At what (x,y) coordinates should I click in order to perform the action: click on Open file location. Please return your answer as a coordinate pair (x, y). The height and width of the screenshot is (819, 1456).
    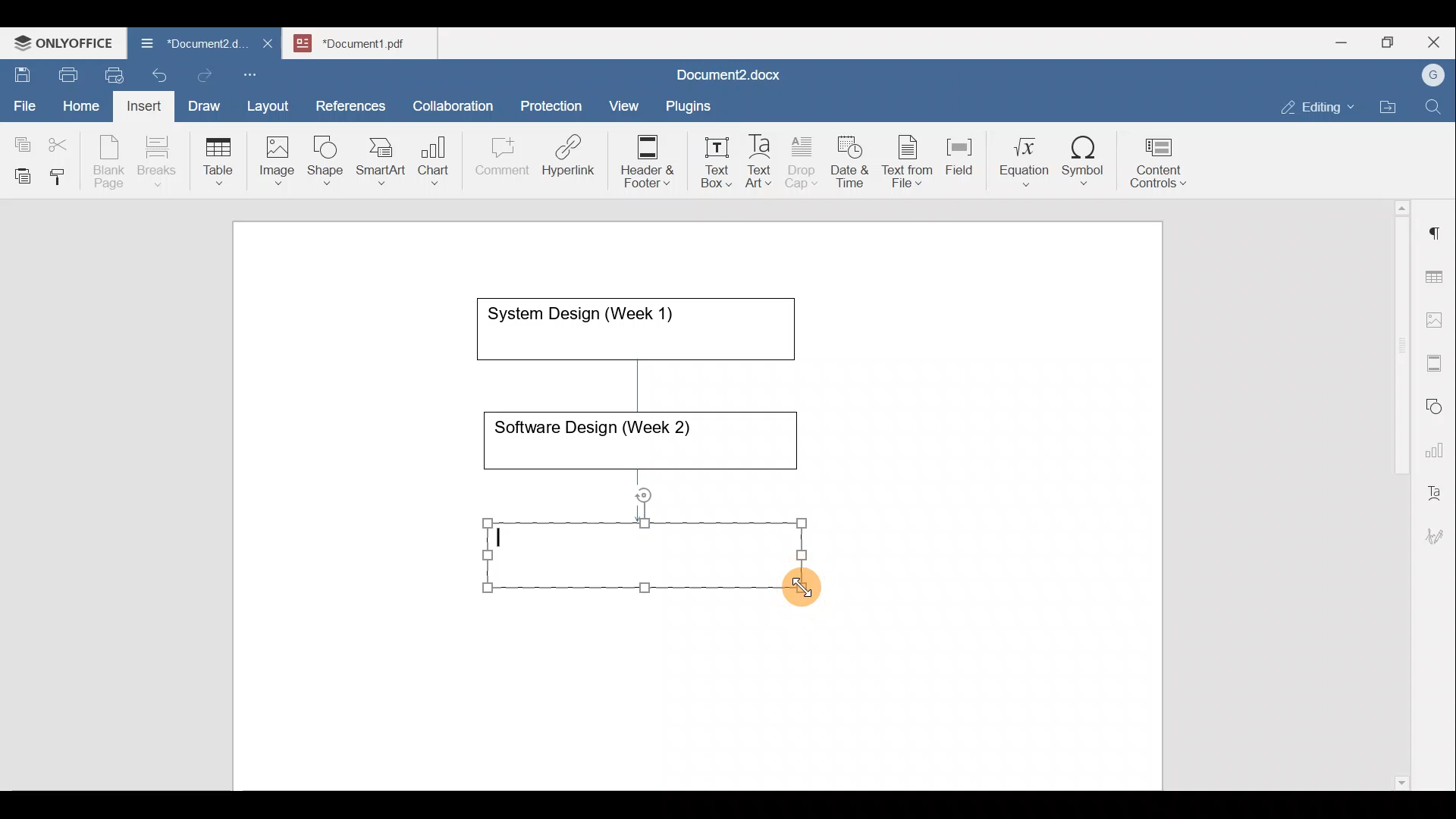
    Looking at the image, I should click on (1392, 108).